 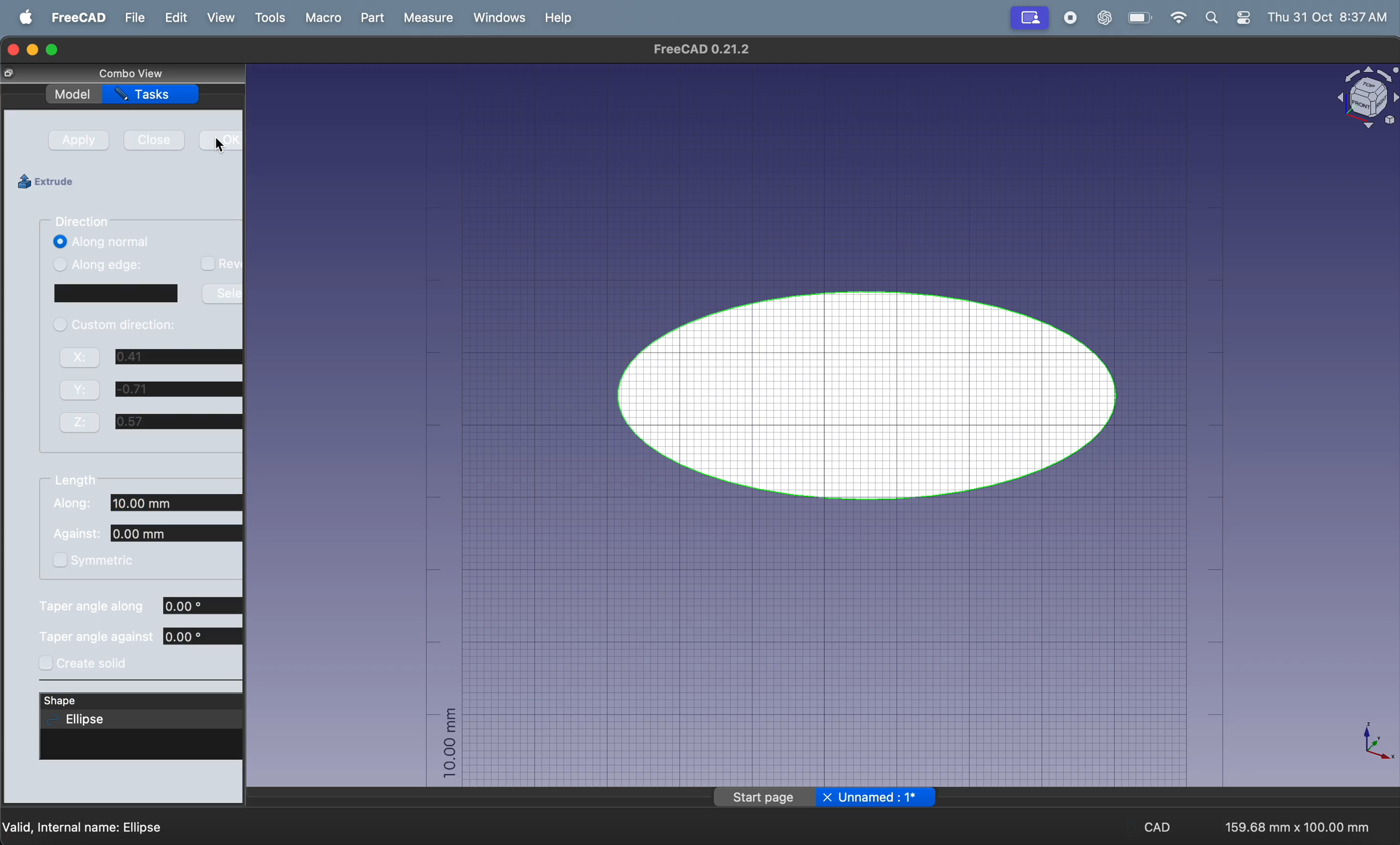 What do you see at coordinates (1068, 19) in the screenshot?
I see `record` at bounding box center [1068, 19].